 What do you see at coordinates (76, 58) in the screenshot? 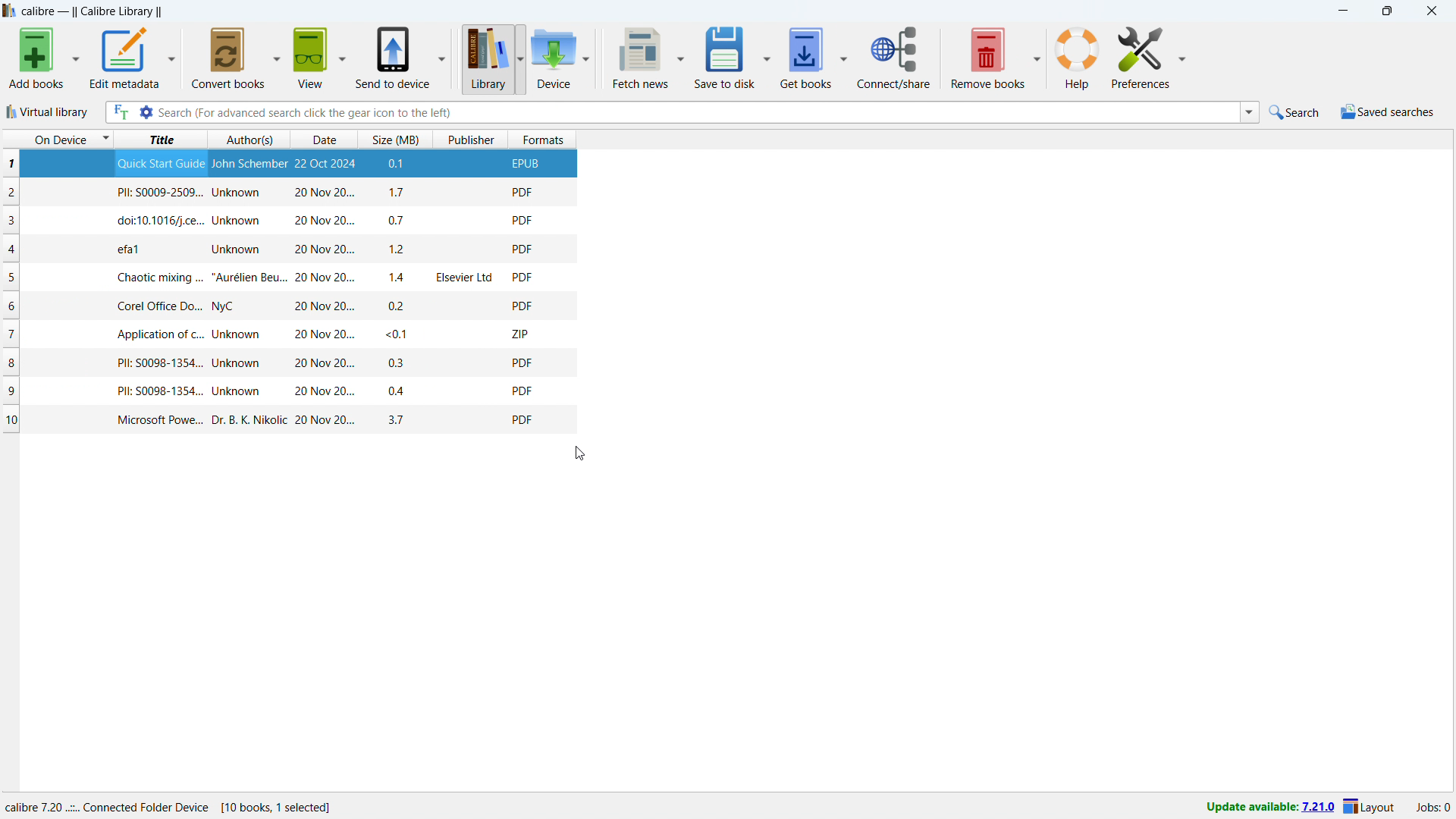
I see `add books options` at bounding box center [76, 58].